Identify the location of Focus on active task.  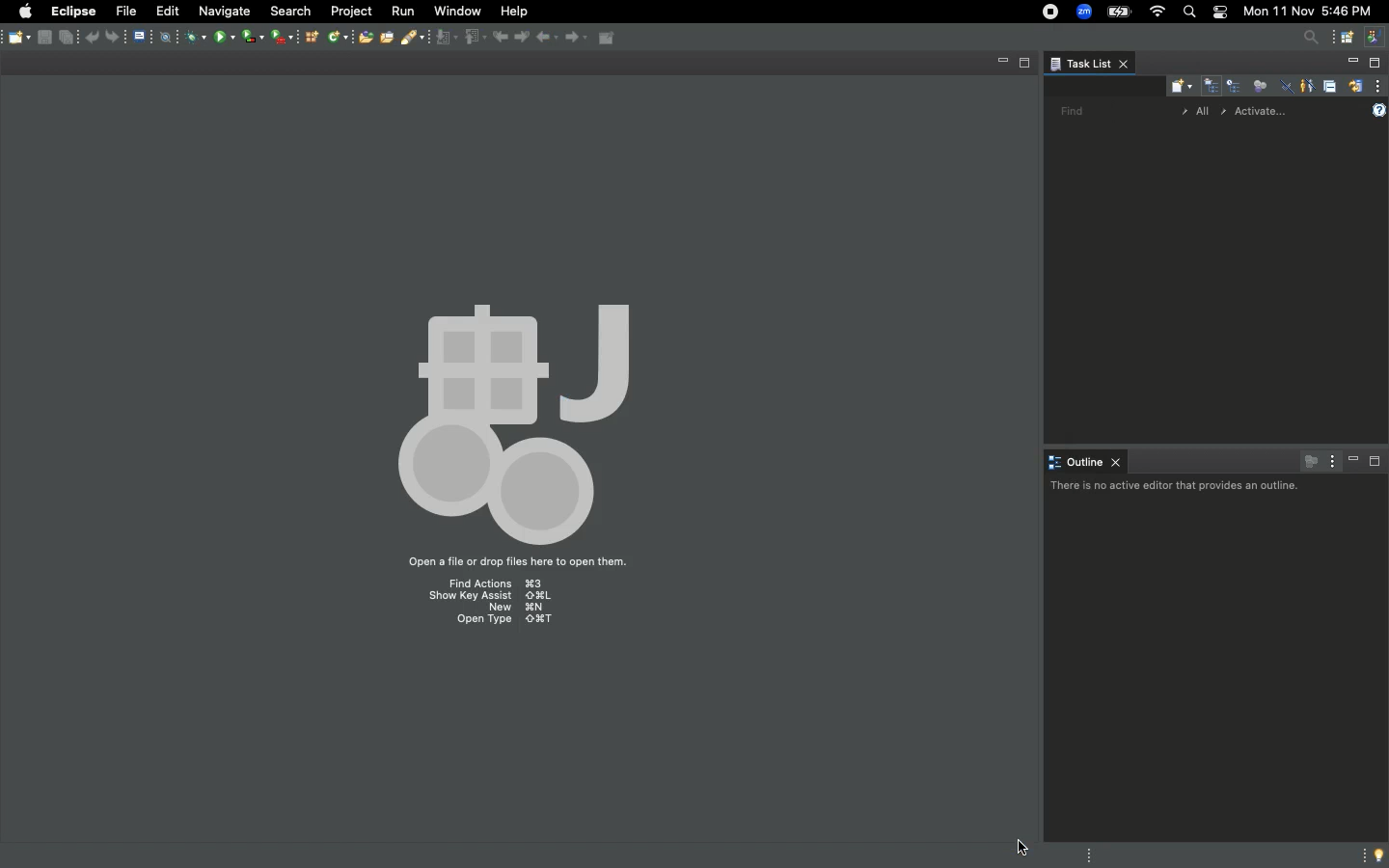
(1308, 460).